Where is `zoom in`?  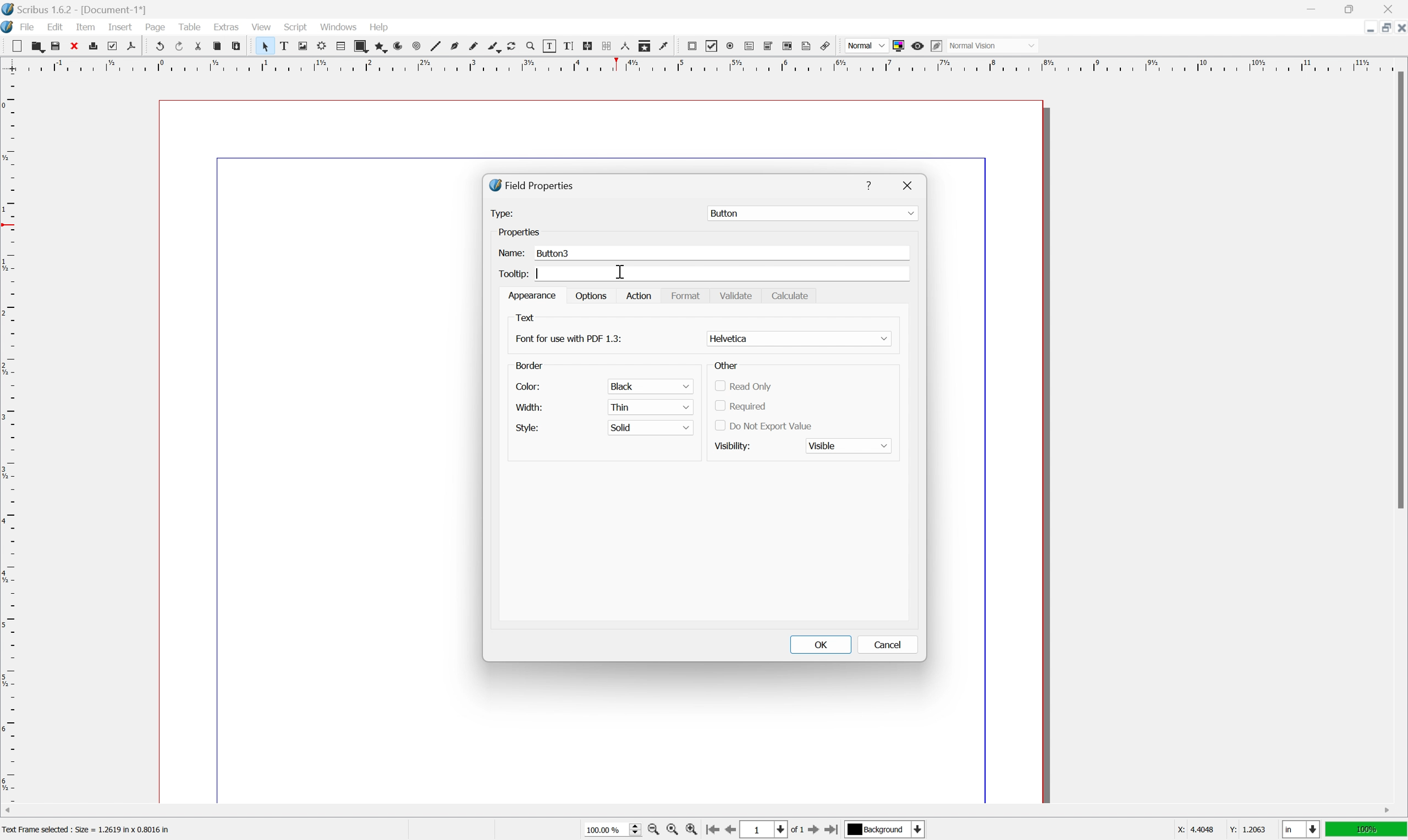
zoom in is located at coordinates (691, 831).